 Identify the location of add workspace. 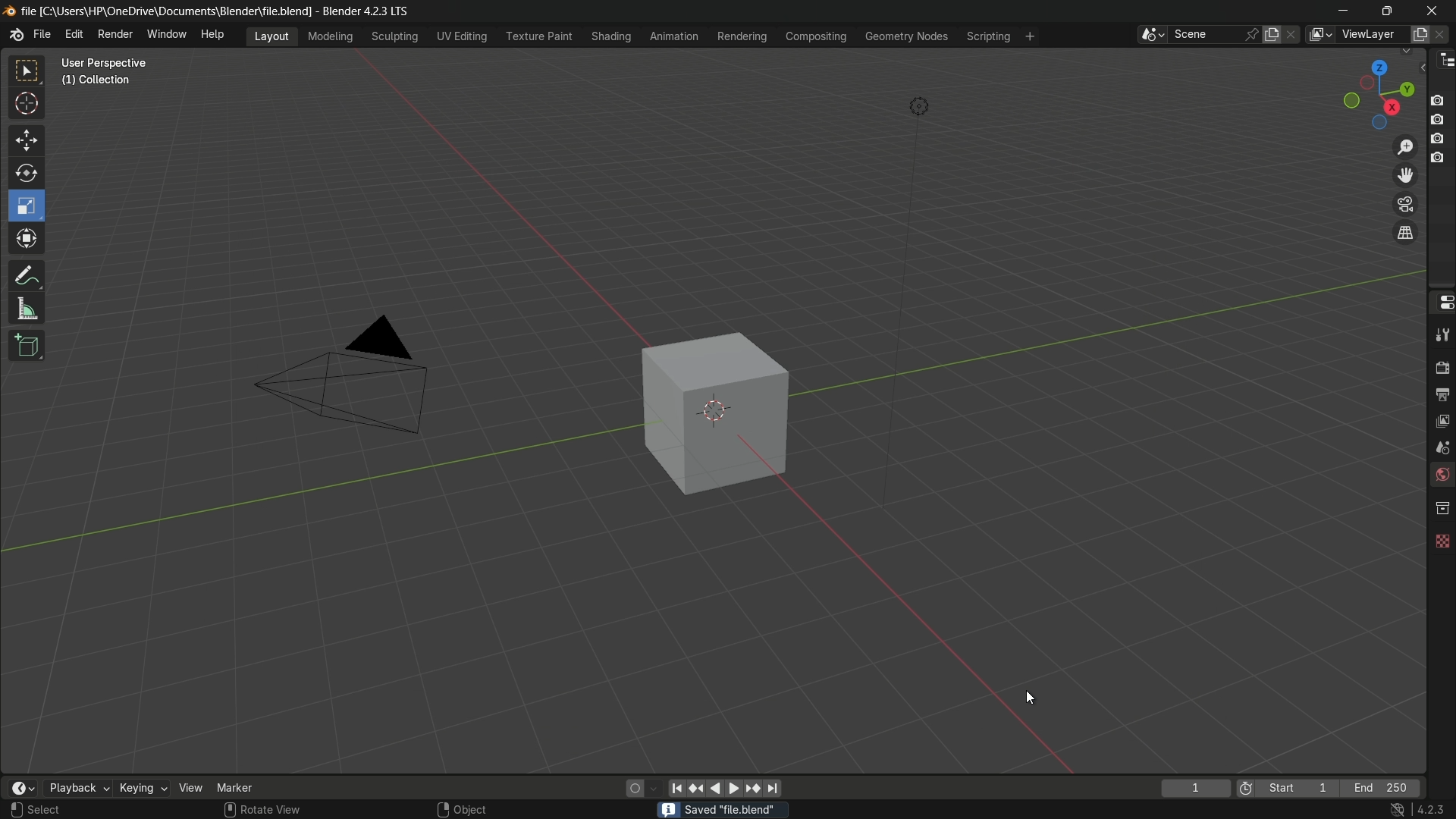
(1028, 36).